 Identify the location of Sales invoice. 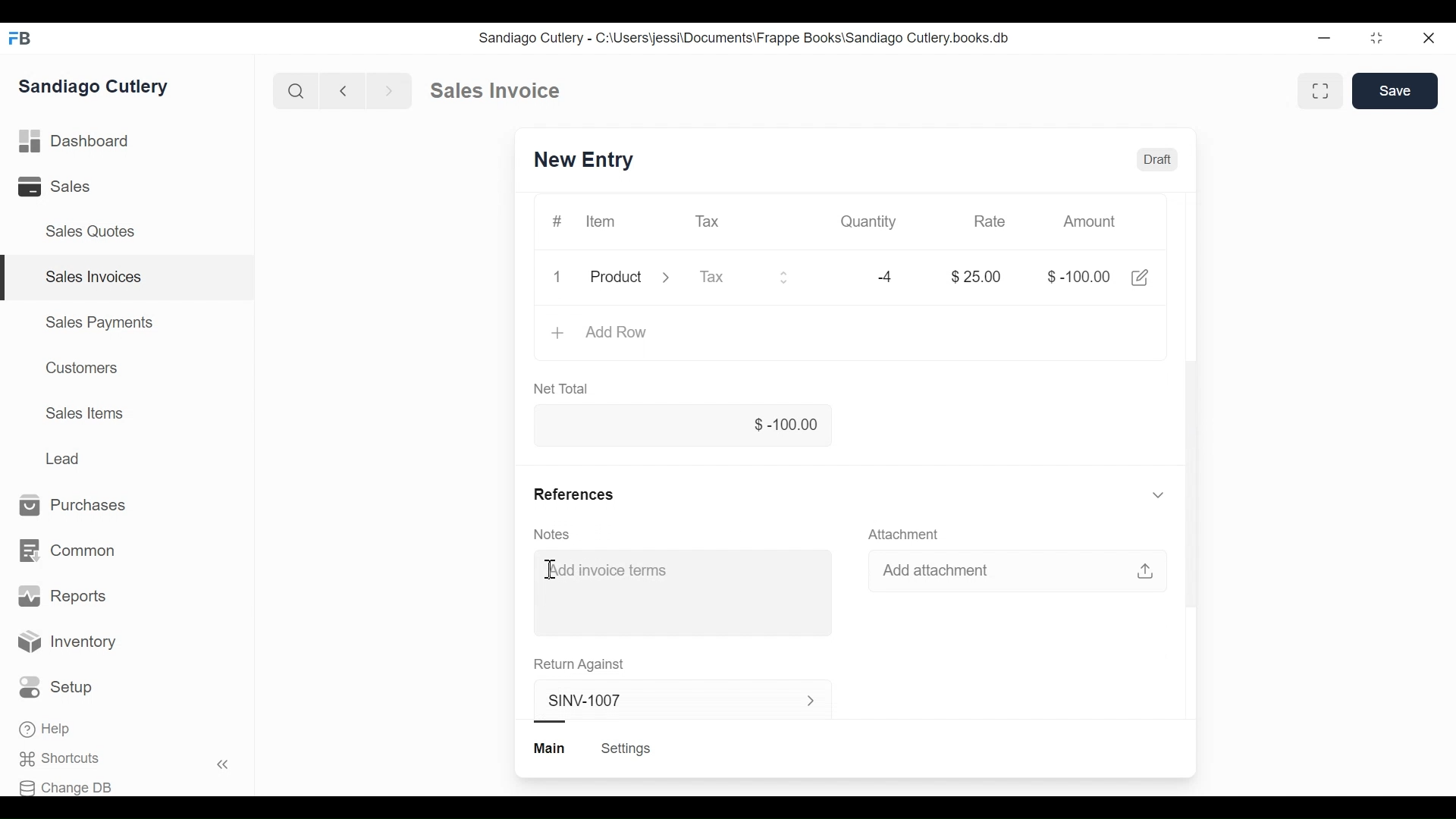
(494, 91).